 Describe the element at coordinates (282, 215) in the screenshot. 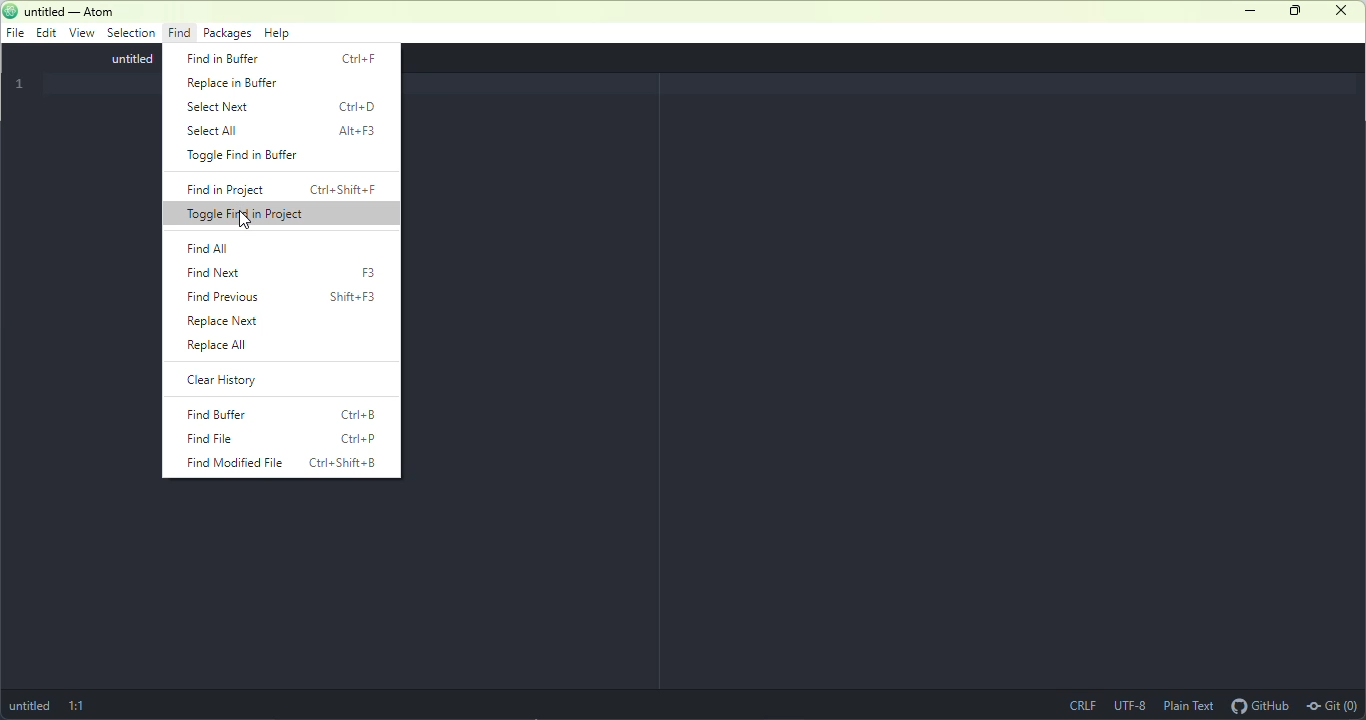

I see `toggle find in project` at that location.